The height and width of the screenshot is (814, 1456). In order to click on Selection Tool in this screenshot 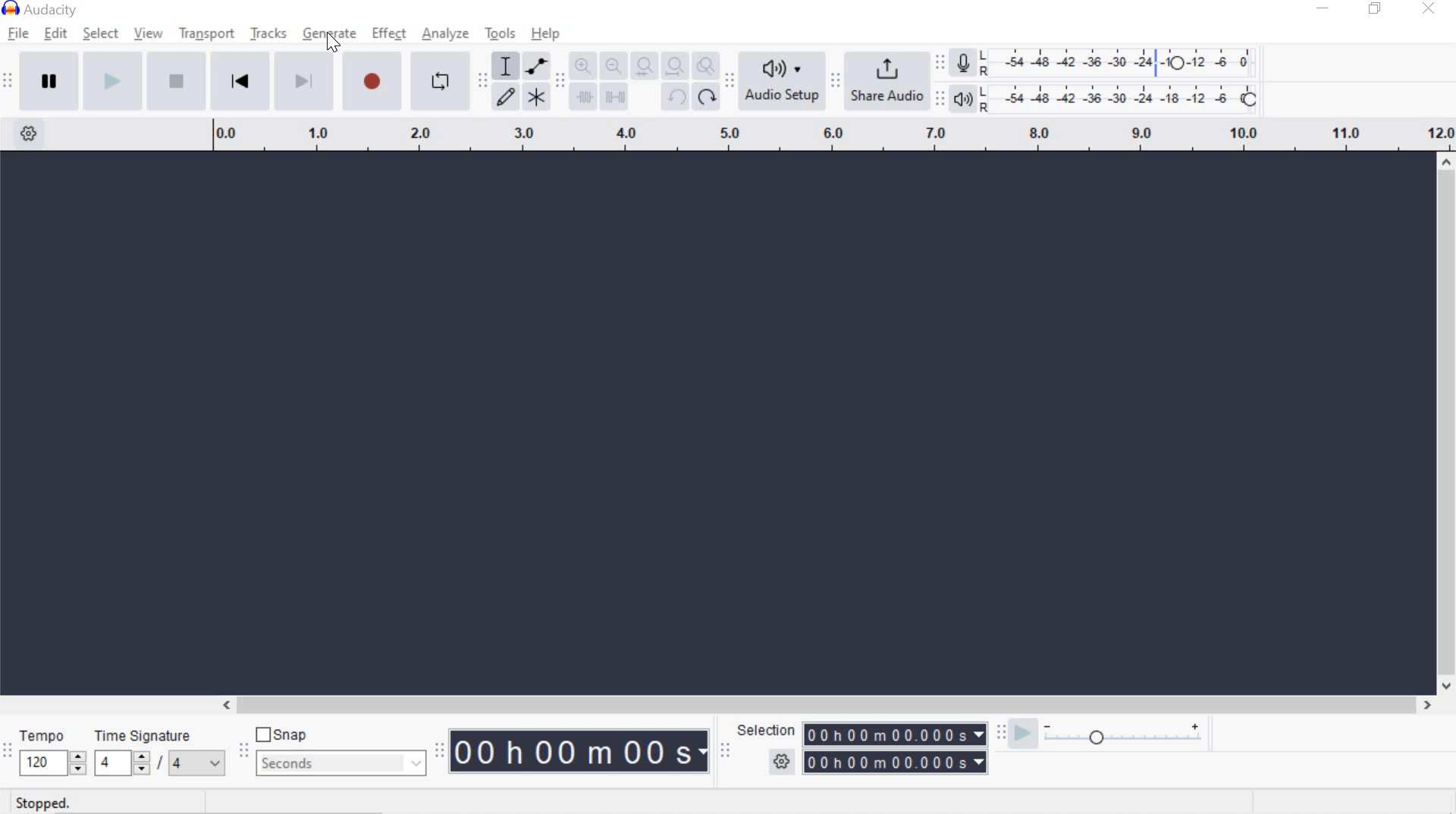, I will do `click(504, 66)`.